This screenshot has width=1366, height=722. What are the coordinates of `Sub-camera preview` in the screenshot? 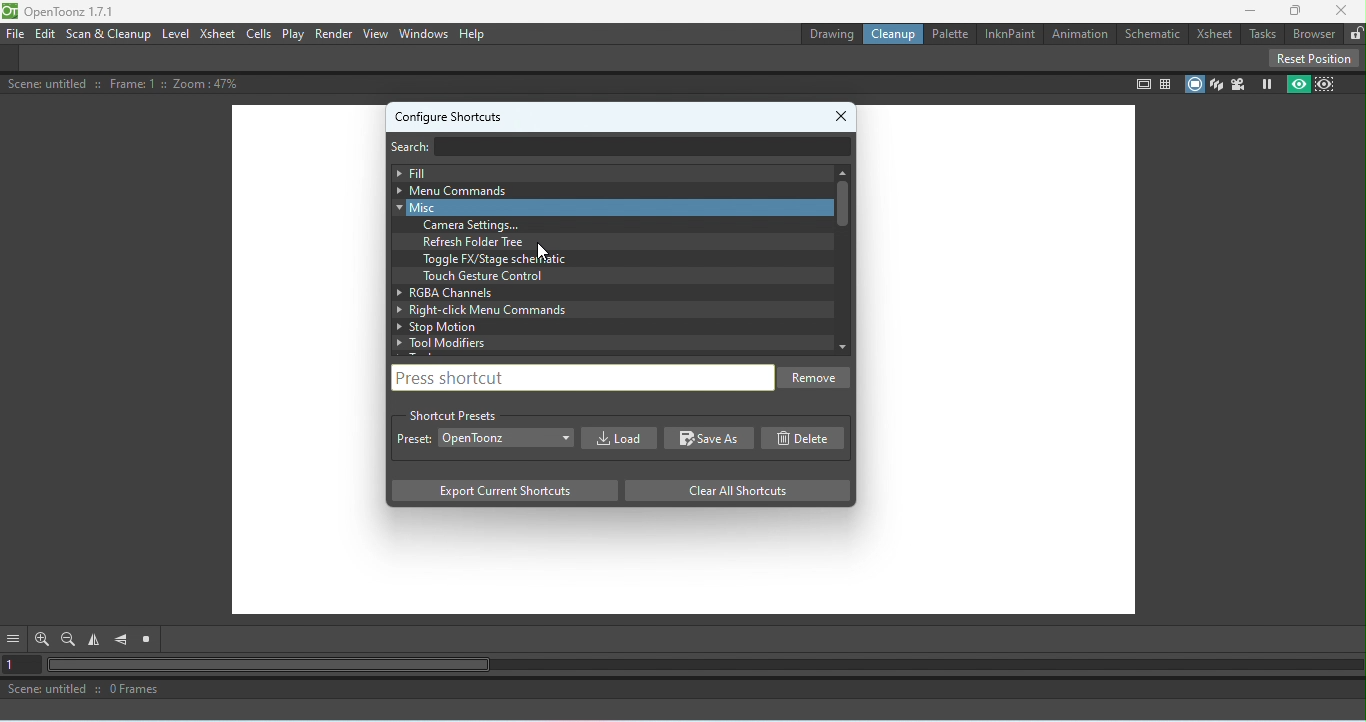 It's located at (1326, 84).